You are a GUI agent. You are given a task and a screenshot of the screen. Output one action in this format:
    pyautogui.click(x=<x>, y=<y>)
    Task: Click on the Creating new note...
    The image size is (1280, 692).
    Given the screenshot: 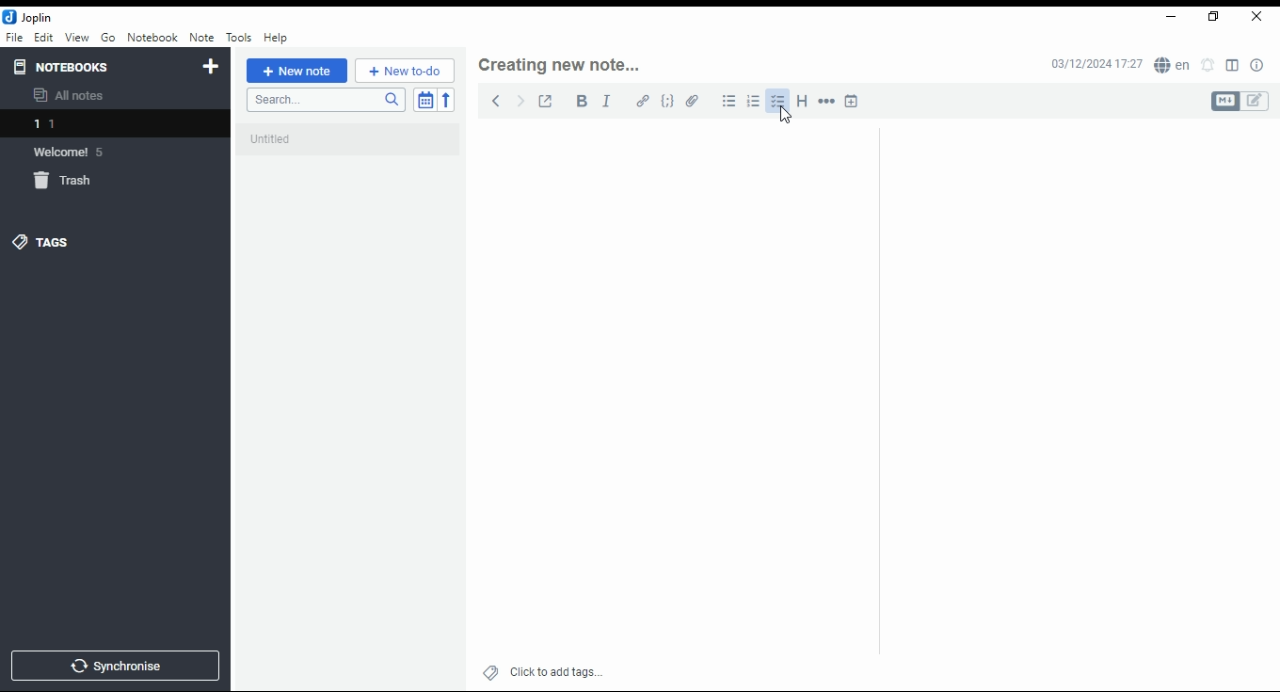 What is the action you would take?
    pyautogui.click(x=595, y=62)
    